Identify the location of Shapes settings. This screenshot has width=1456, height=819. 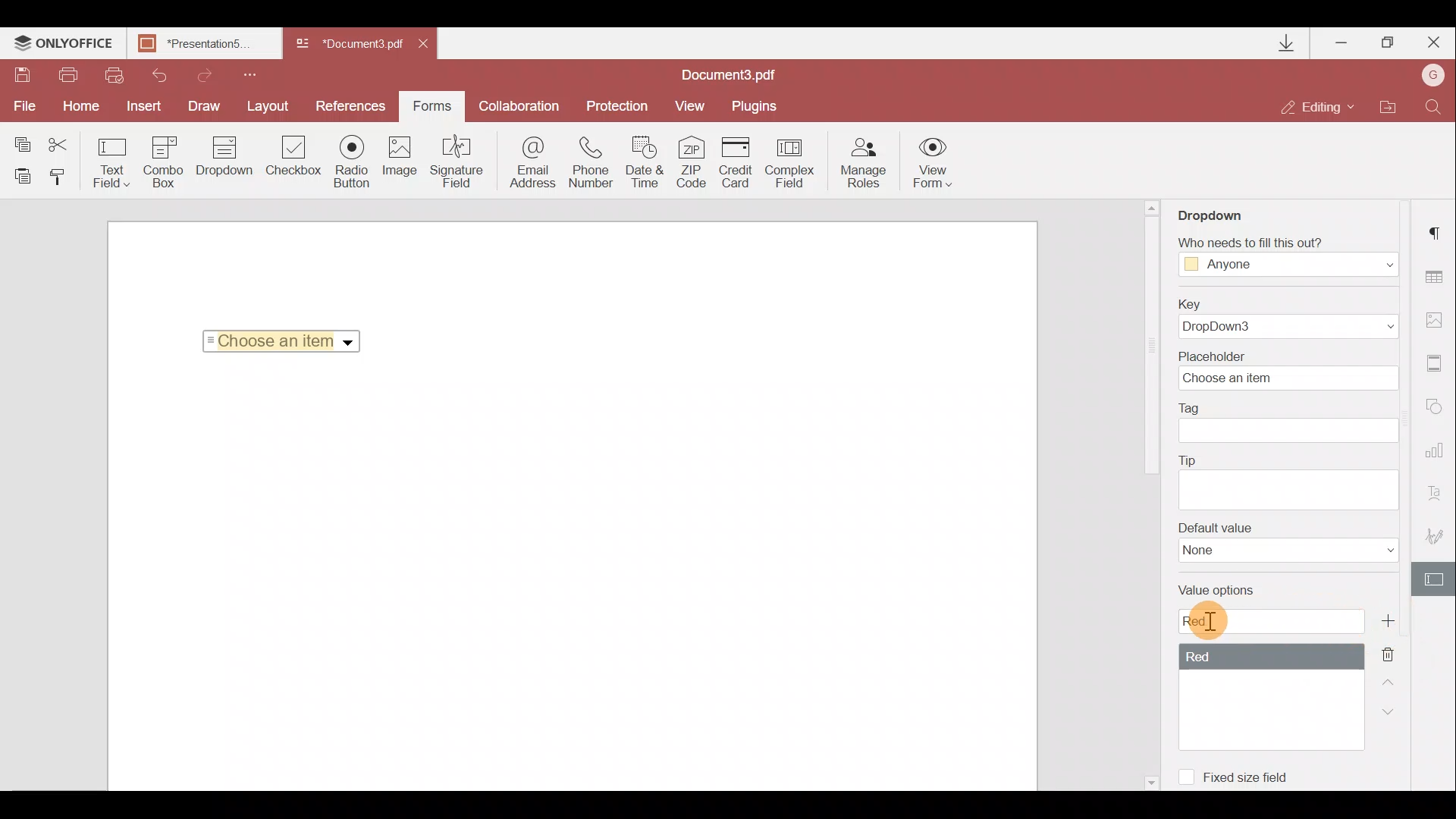
(1439, 408).